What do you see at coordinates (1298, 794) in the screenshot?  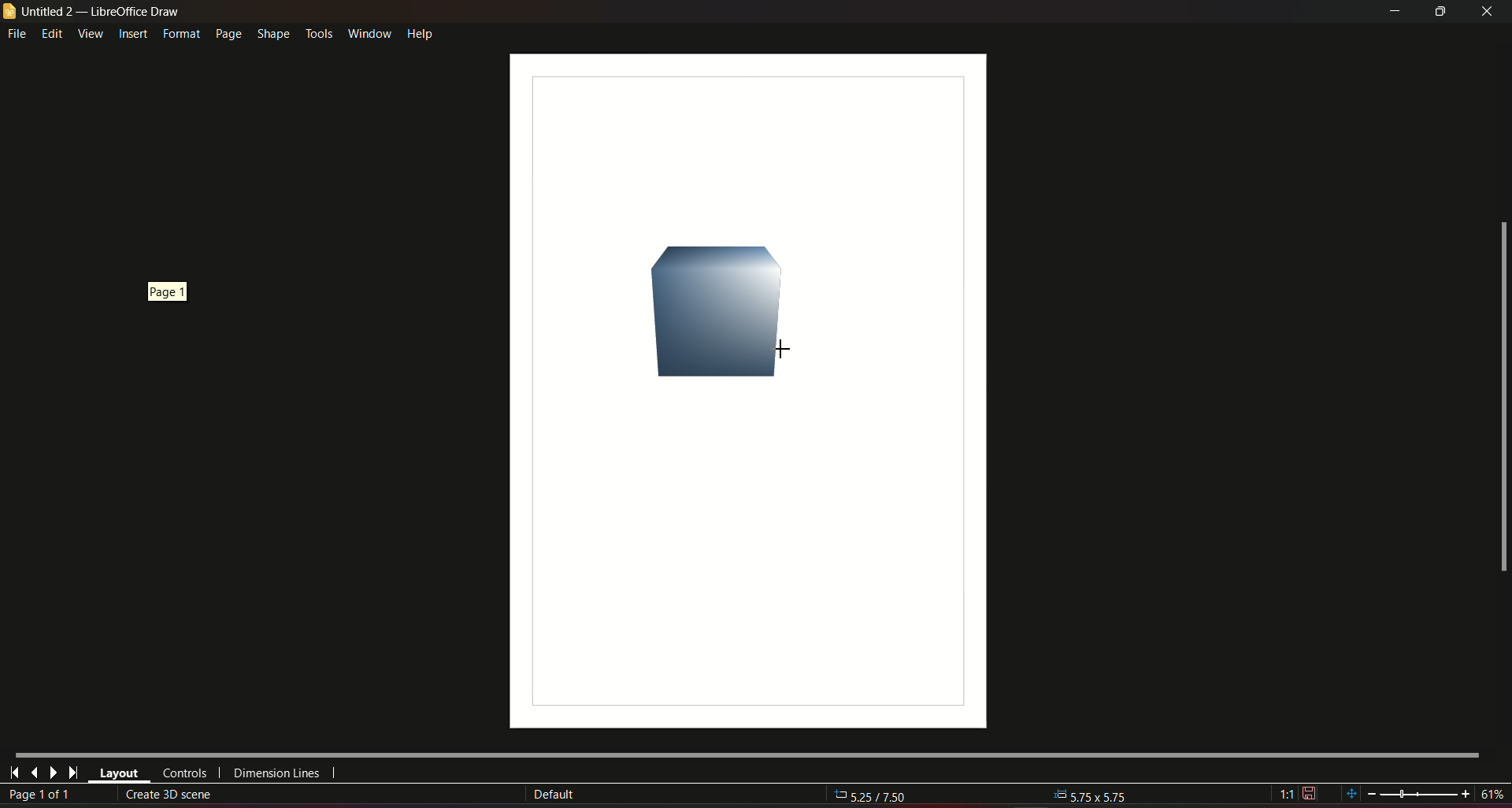 I see `1:1` at bounding box center [1298, 794].